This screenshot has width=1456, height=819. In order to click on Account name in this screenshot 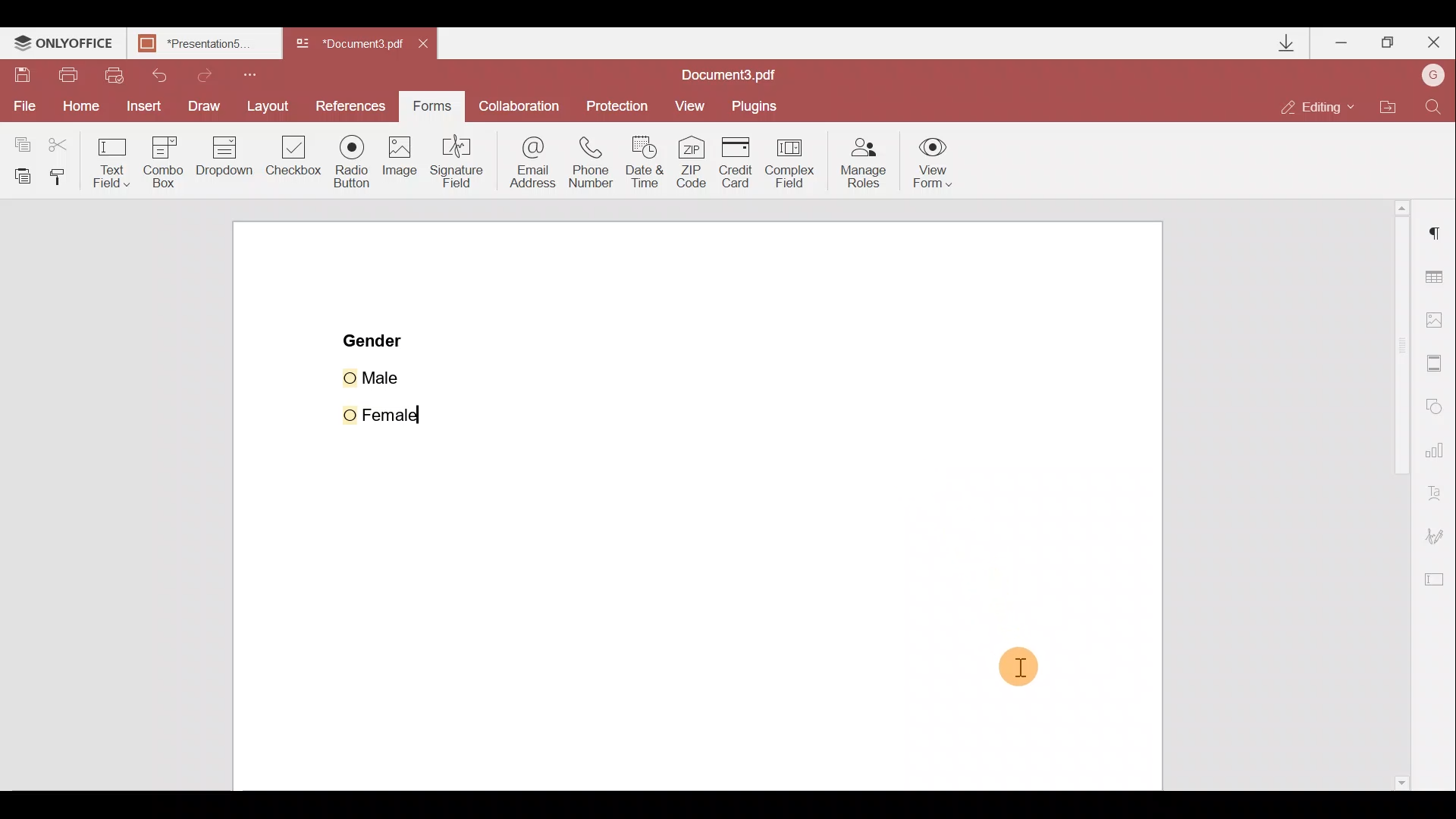, I will do `click(1433, 75)`.